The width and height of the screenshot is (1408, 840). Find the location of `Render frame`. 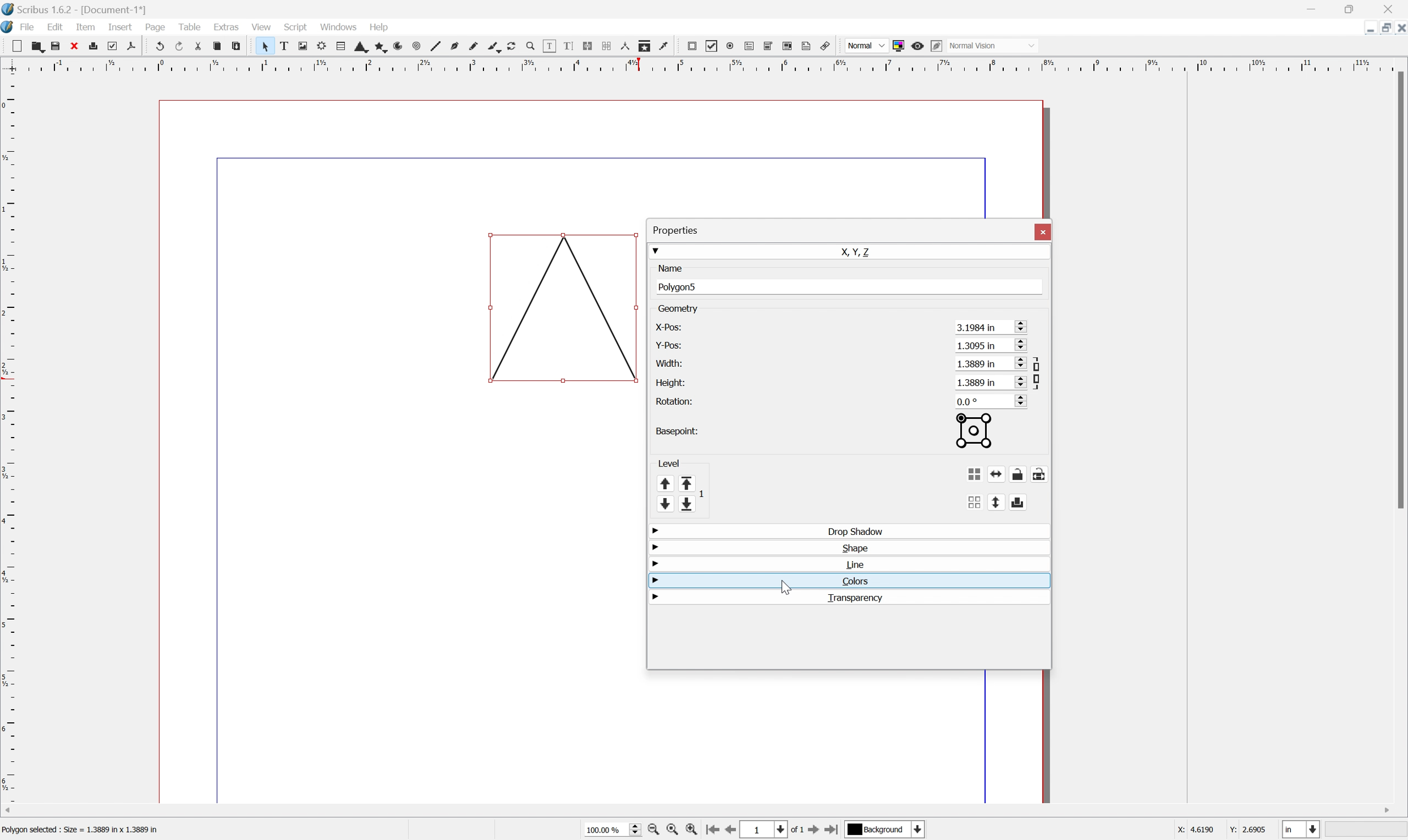

Render frame is located at coordinates (322, 47).